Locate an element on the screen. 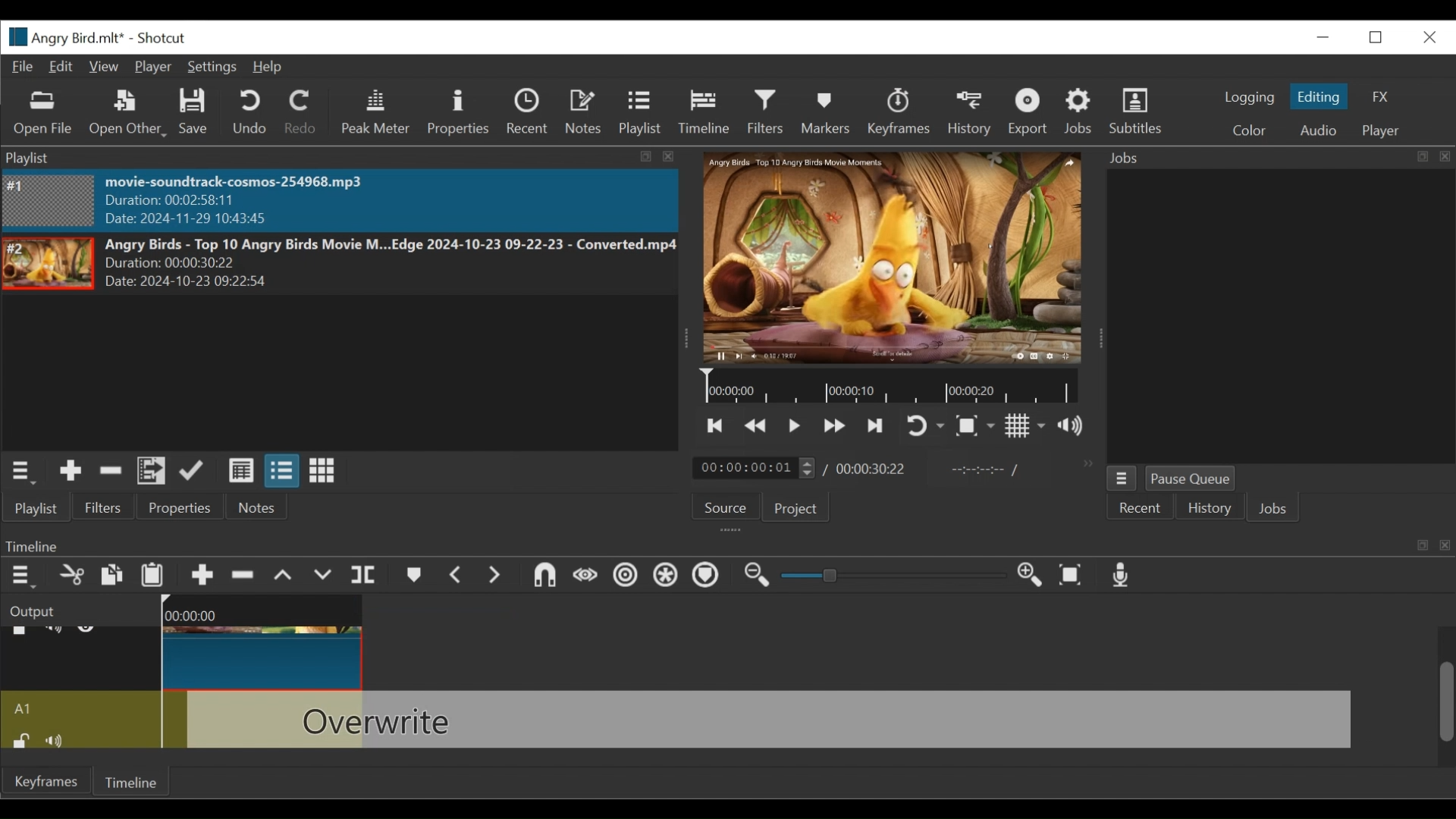 The height and width of the screenshot is (819, 1456). Help is located at coordinates (266, 67).